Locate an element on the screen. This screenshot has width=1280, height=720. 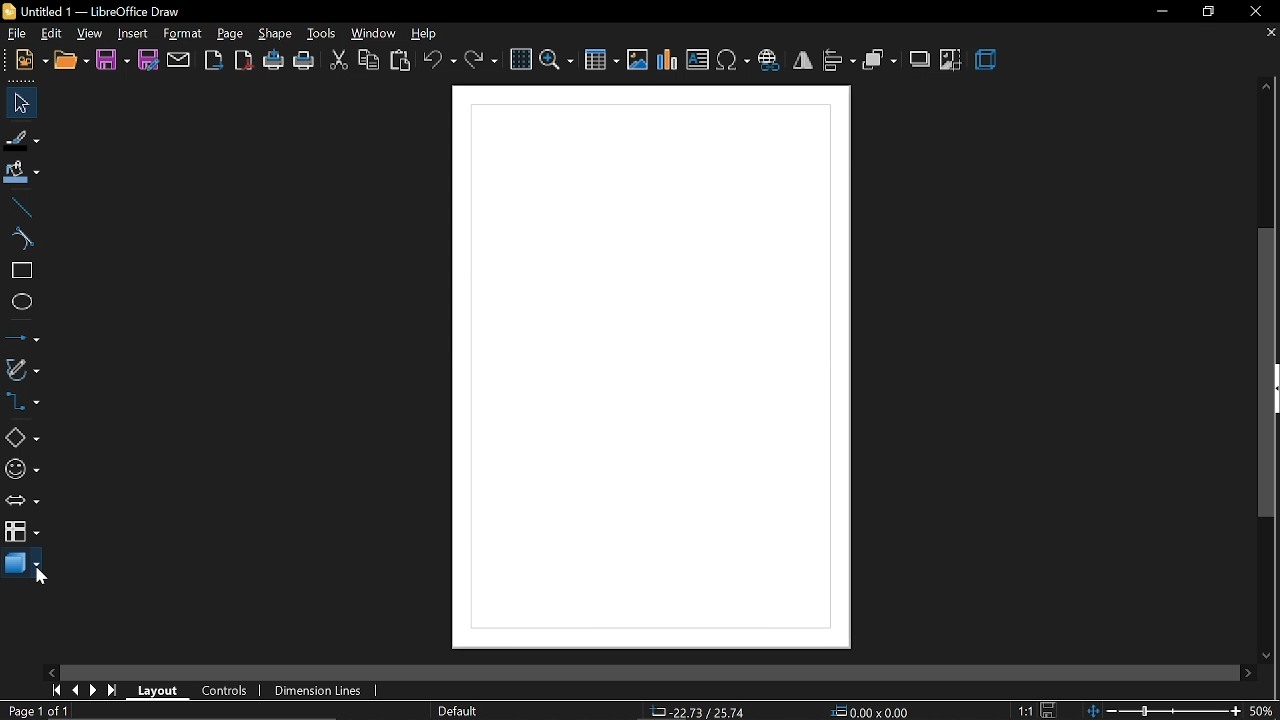
zoom is located at coordinates (556, 61).